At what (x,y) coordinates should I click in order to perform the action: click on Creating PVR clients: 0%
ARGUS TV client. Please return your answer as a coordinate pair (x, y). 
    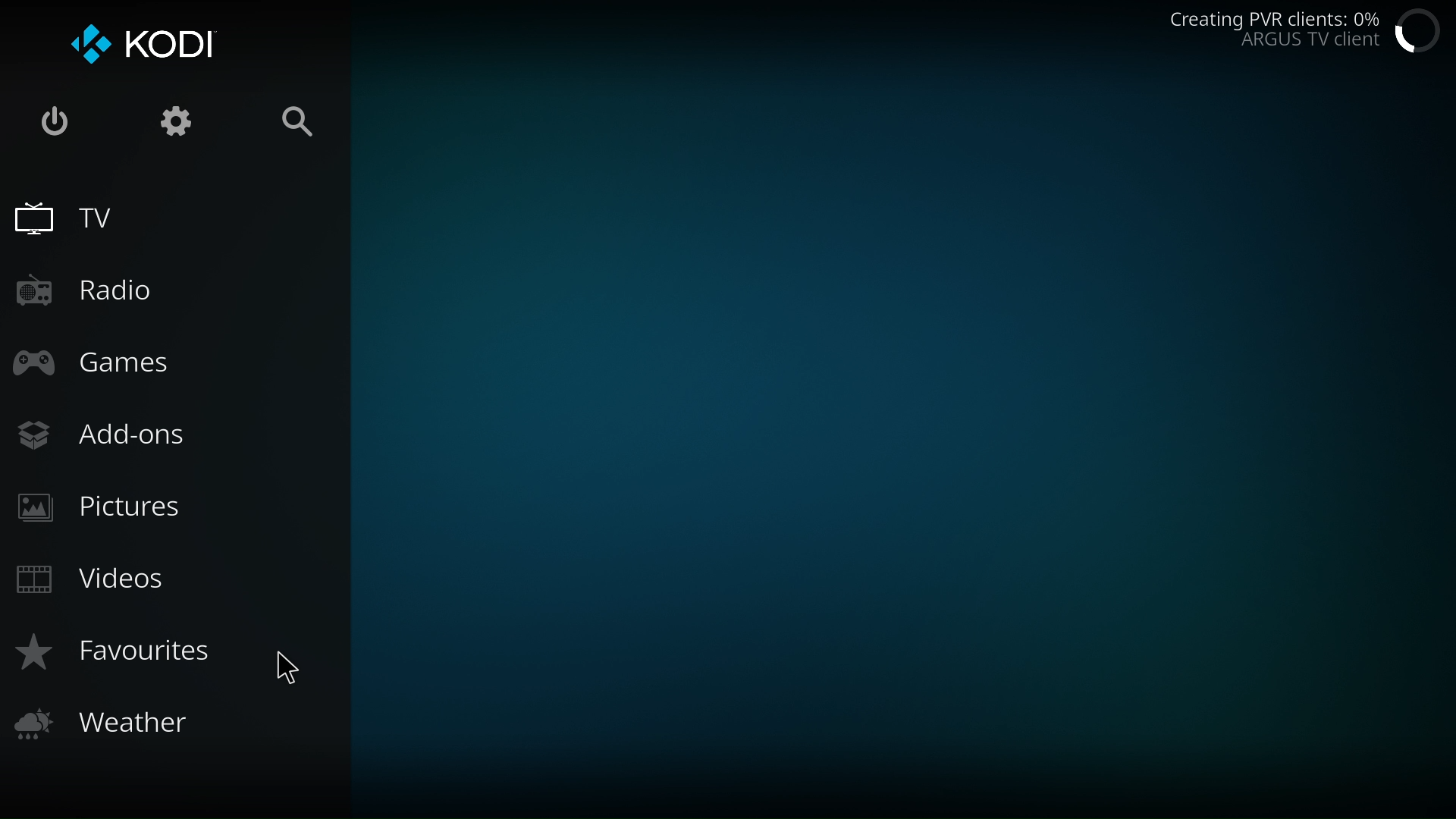
    Looking at the image, I should click on (1272, 33).